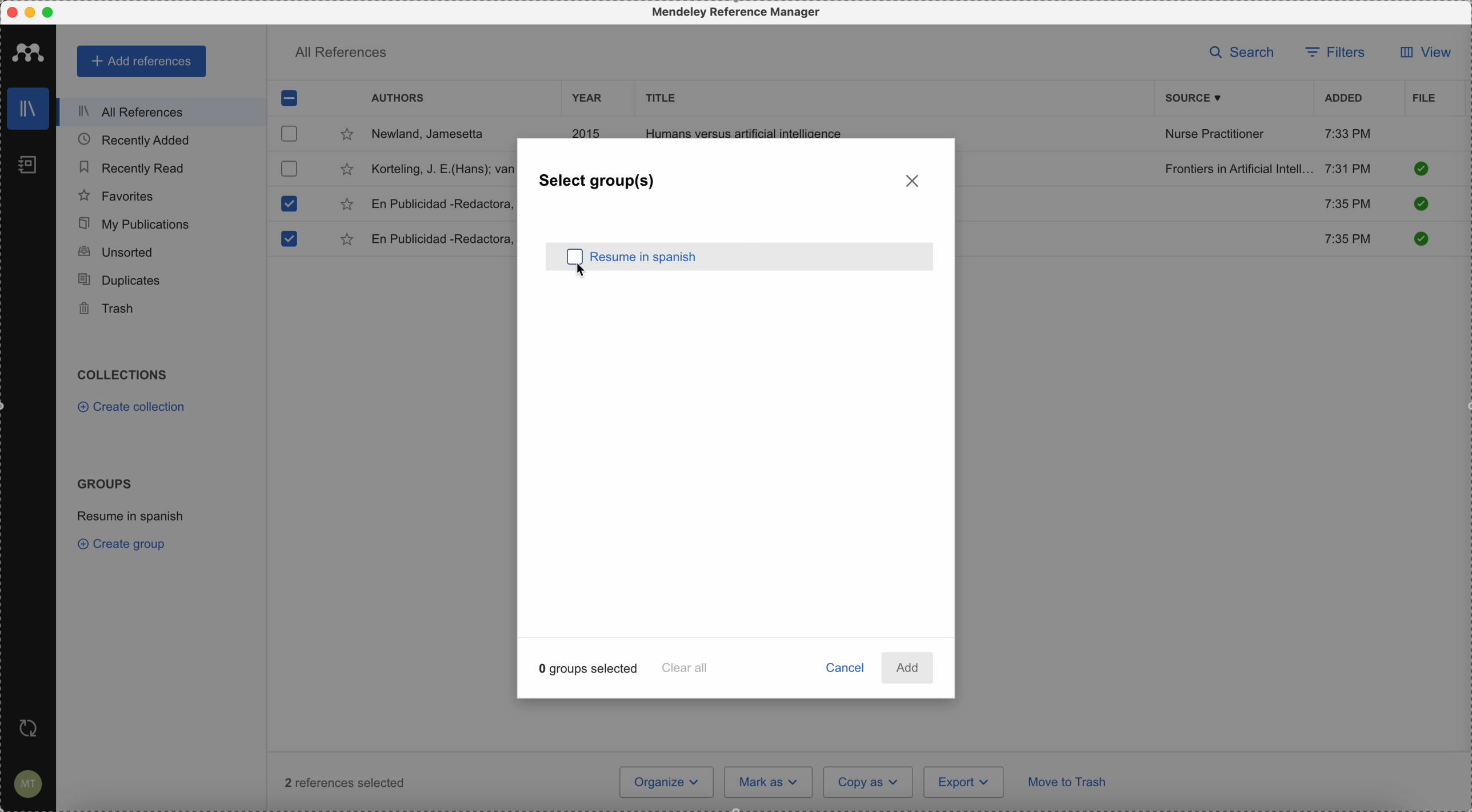 The height and width of the screenshot is (812, 1472). What do you see at coordinates (341, 55) in the screenshot?
I see `all references` at bounding box center [341, 55].